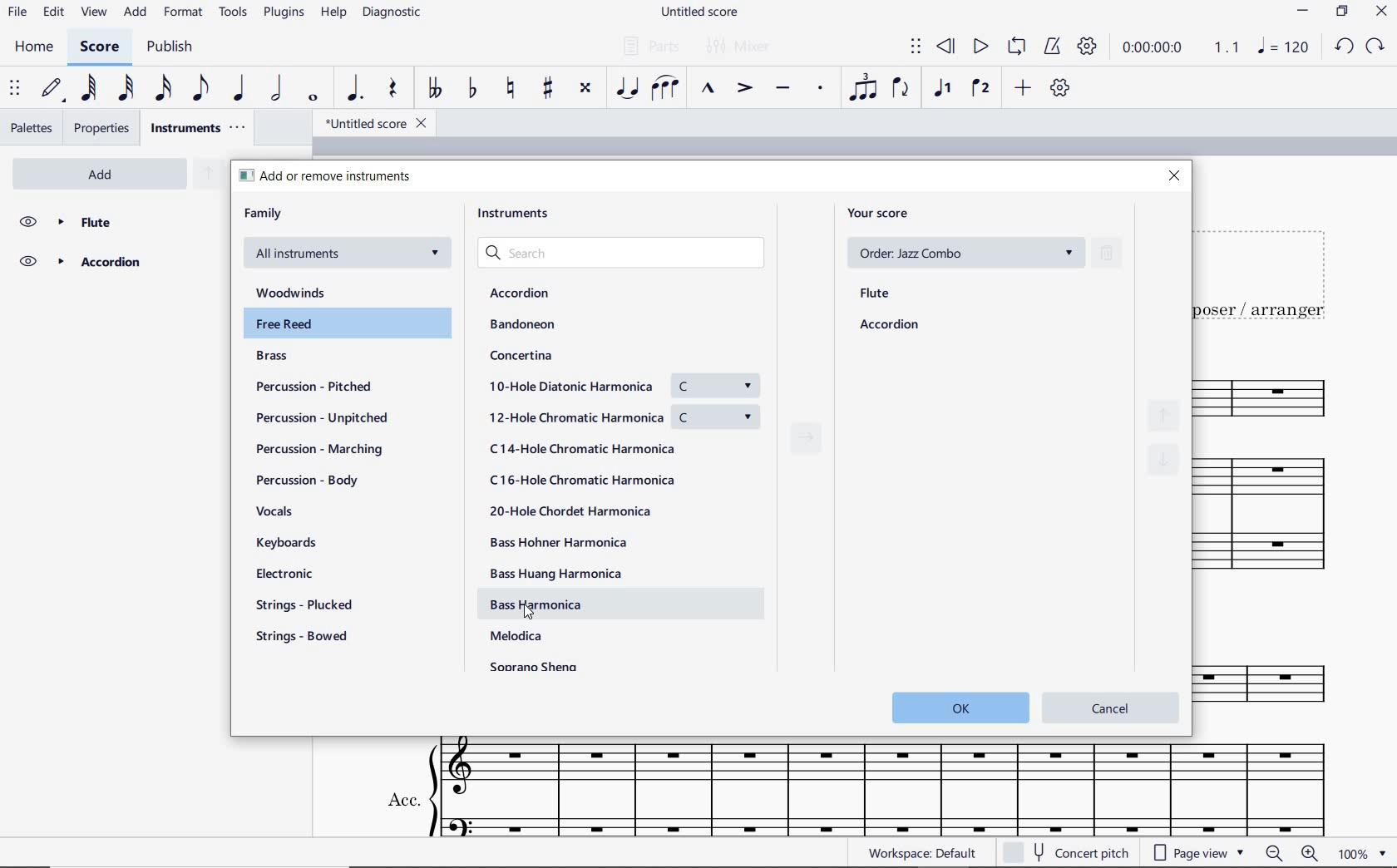 This screenshot has height=868, width=1397. Describe the element at coordinates (369, 122) in the screenshot. I see `file name` at that location.